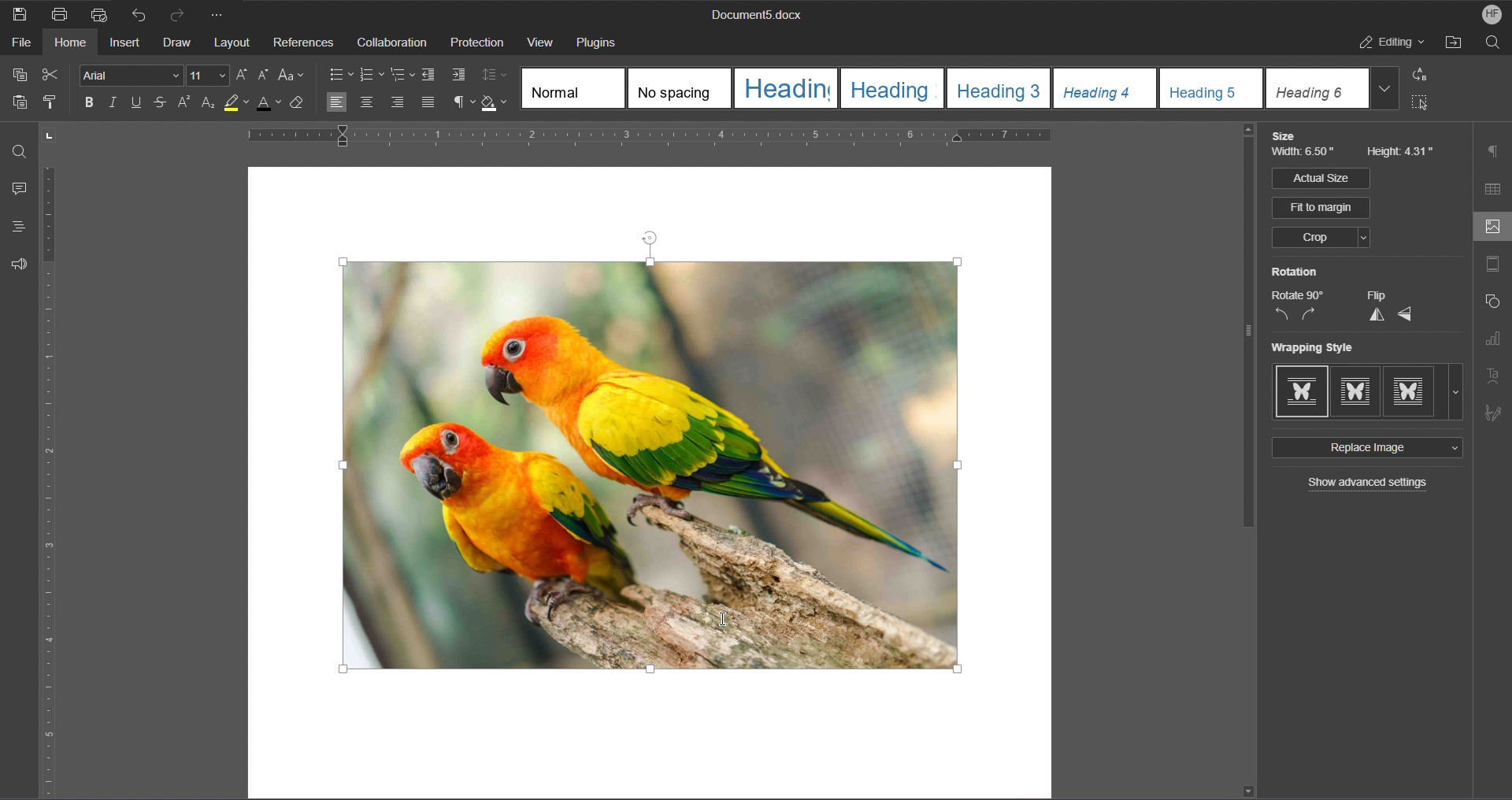 The height and width of the screenshot is (800, 1512). What do you see at coordinates (1487, 14) in the screenshot?
I see `Account` at bounding box center [1487, 14].